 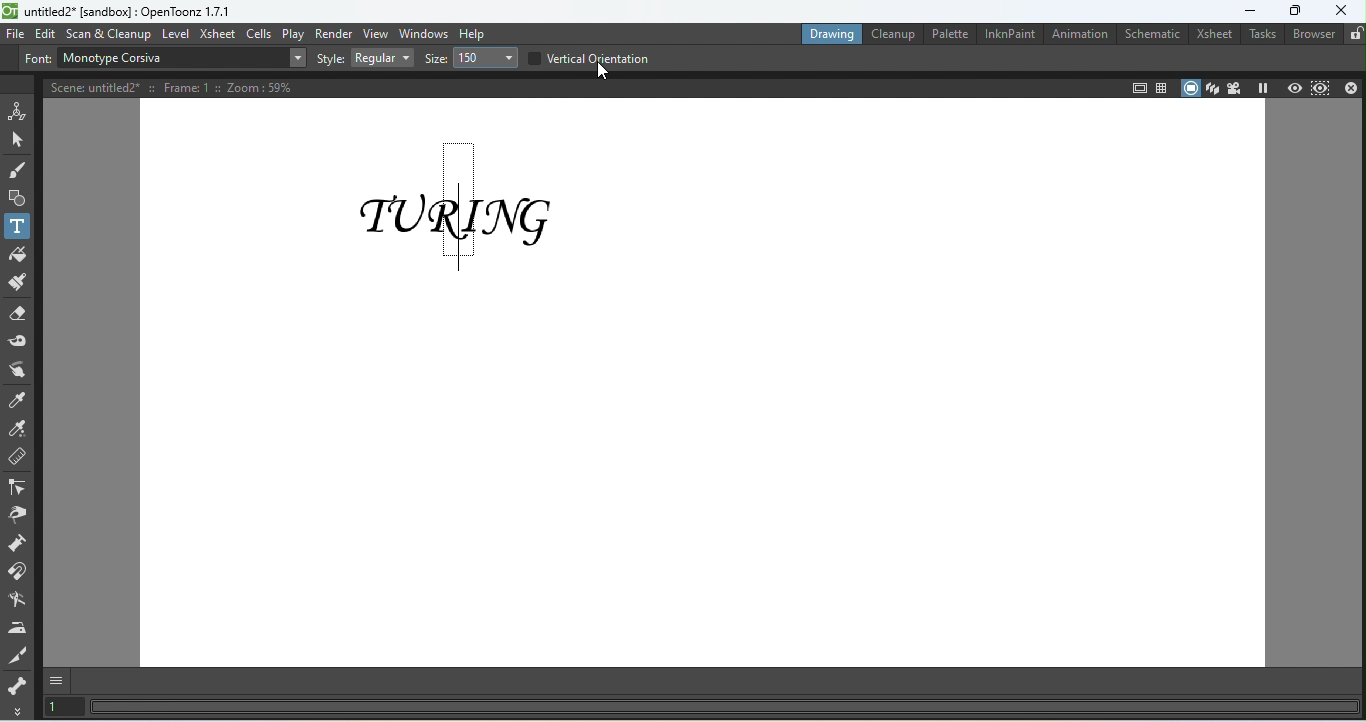 What do you see at coordinates (1212, 86) in the screenshot?
I see `3D view` at bounding box center [1212, 86].